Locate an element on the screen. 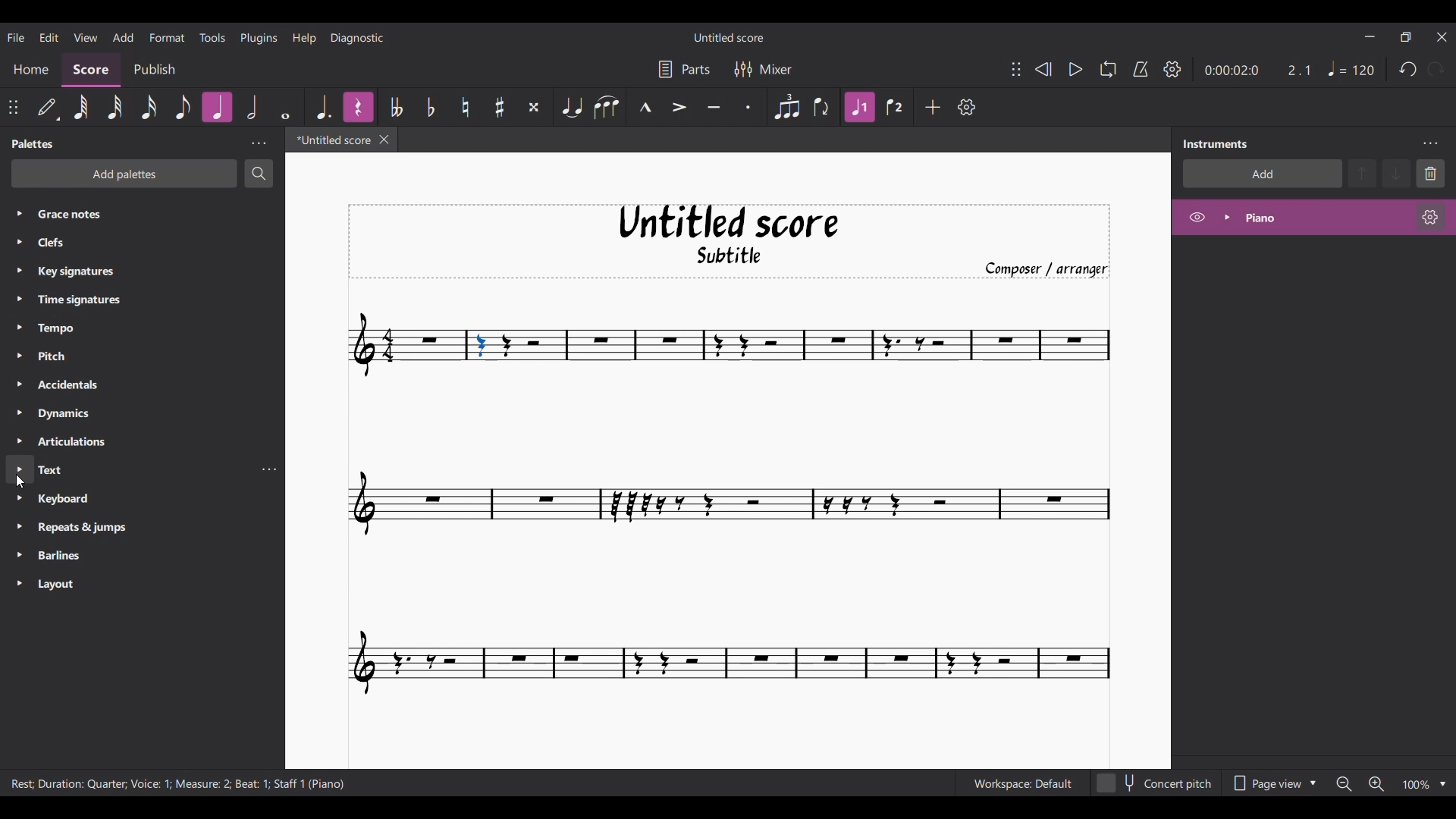  Play is located at coordinates (1075, 69).